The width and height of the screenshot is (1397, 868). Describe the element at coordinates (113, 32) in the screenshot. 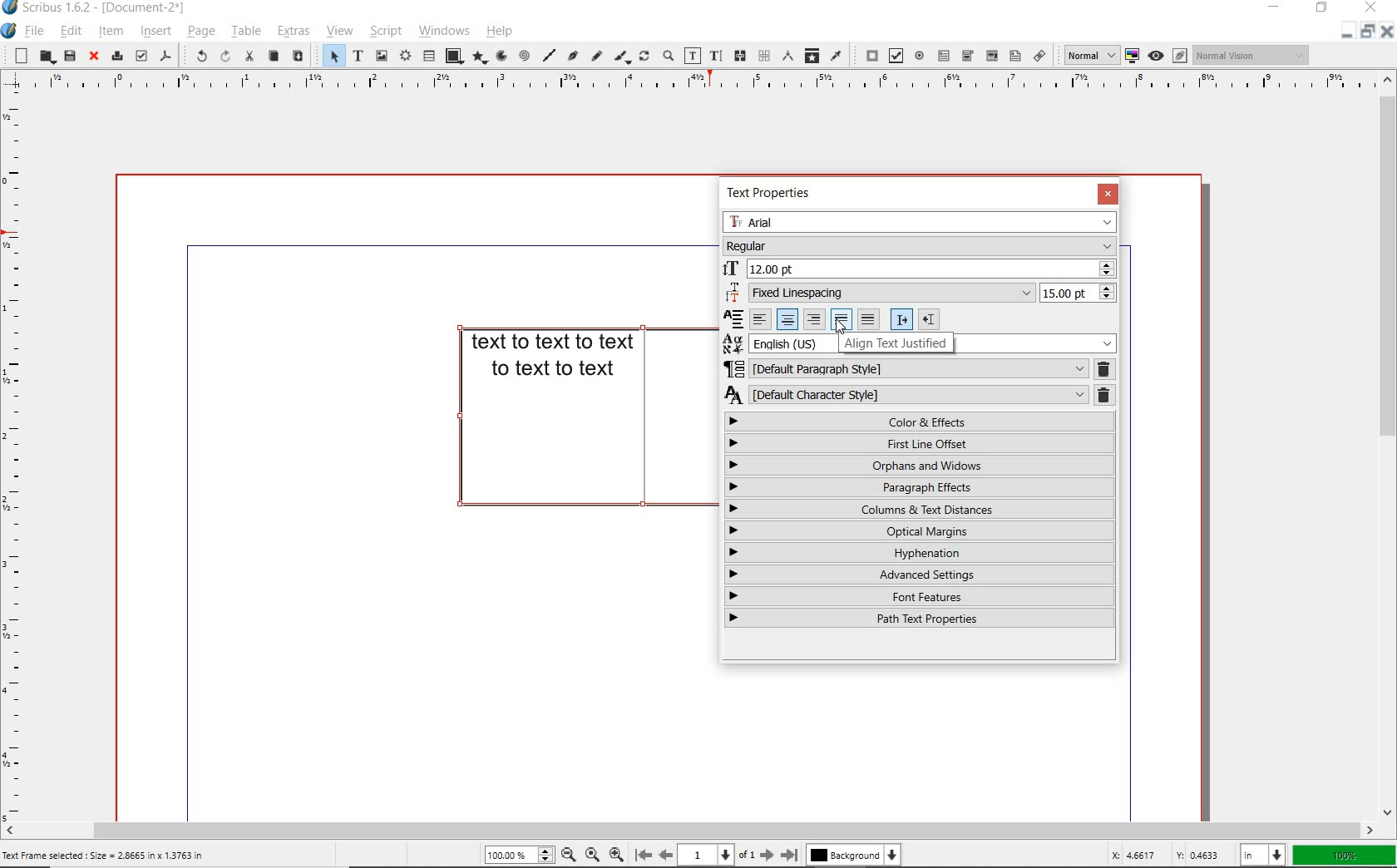

I see `item` at that location.